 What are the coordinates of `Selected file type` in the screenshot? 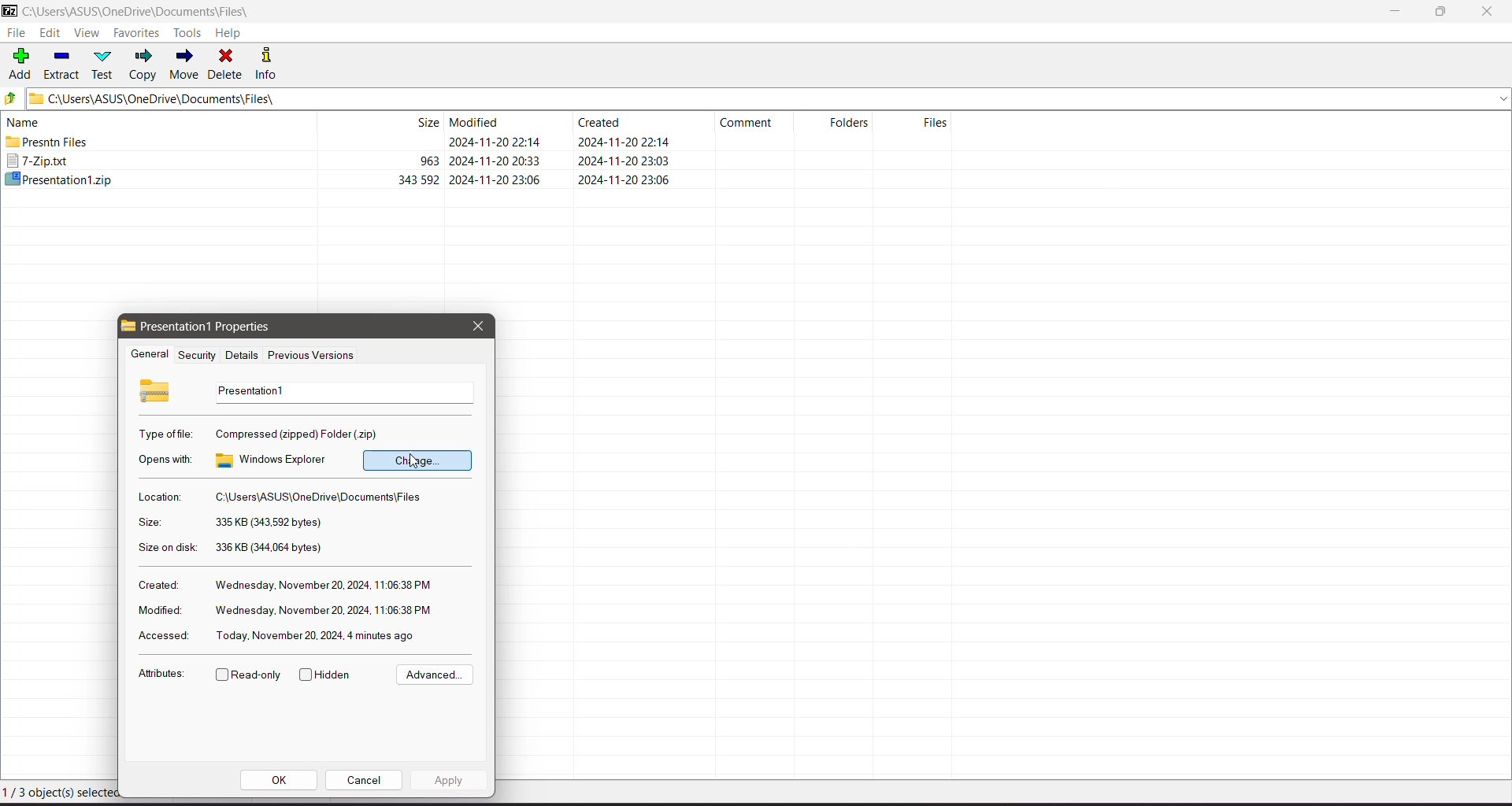 It's located at (299, 433).